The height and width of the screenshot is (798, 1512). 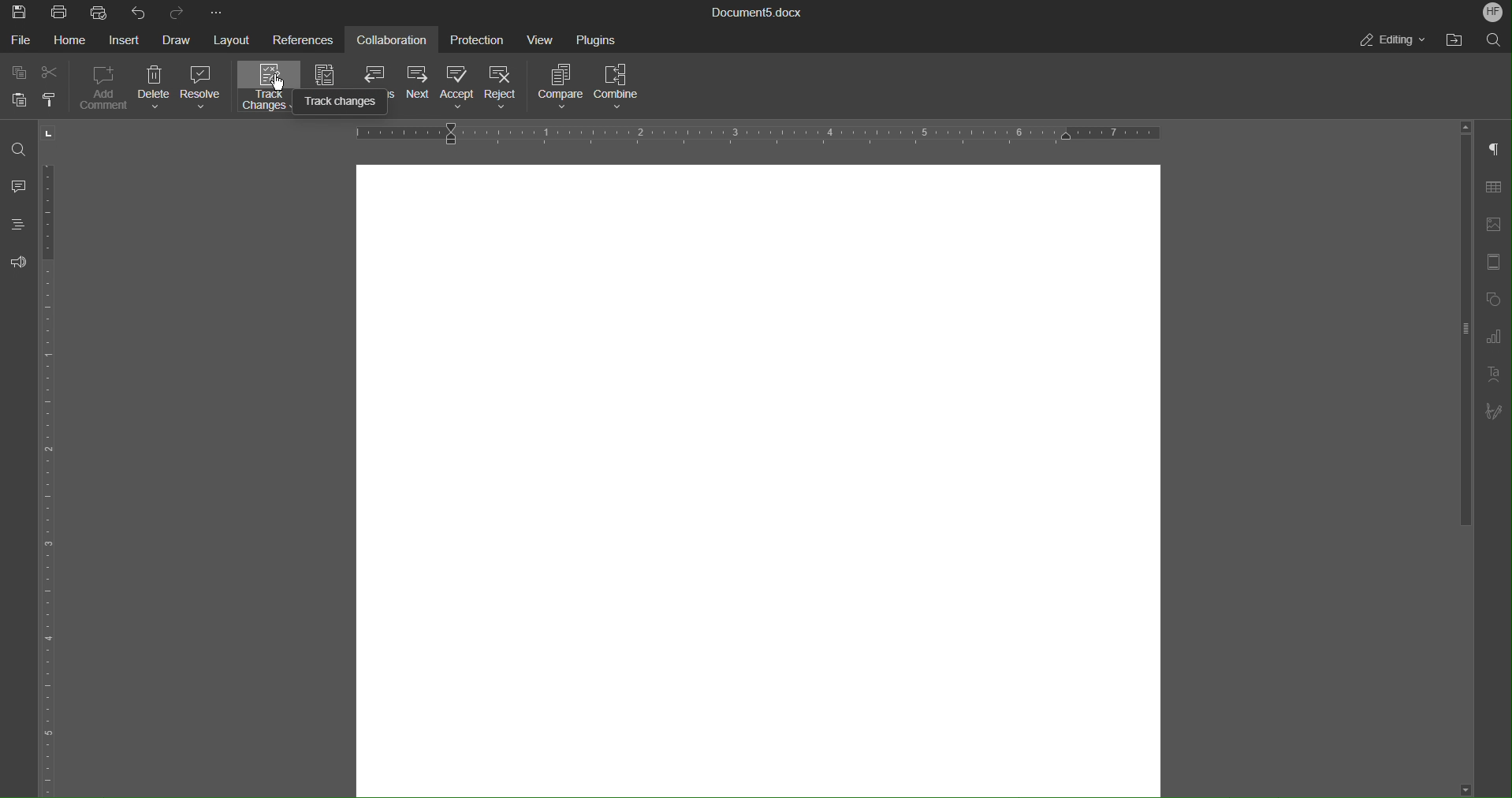 What do you see at coordinates (50, 481) in the screenshot?
I see `Vertical Ruler` at bounding box center [50, 481].